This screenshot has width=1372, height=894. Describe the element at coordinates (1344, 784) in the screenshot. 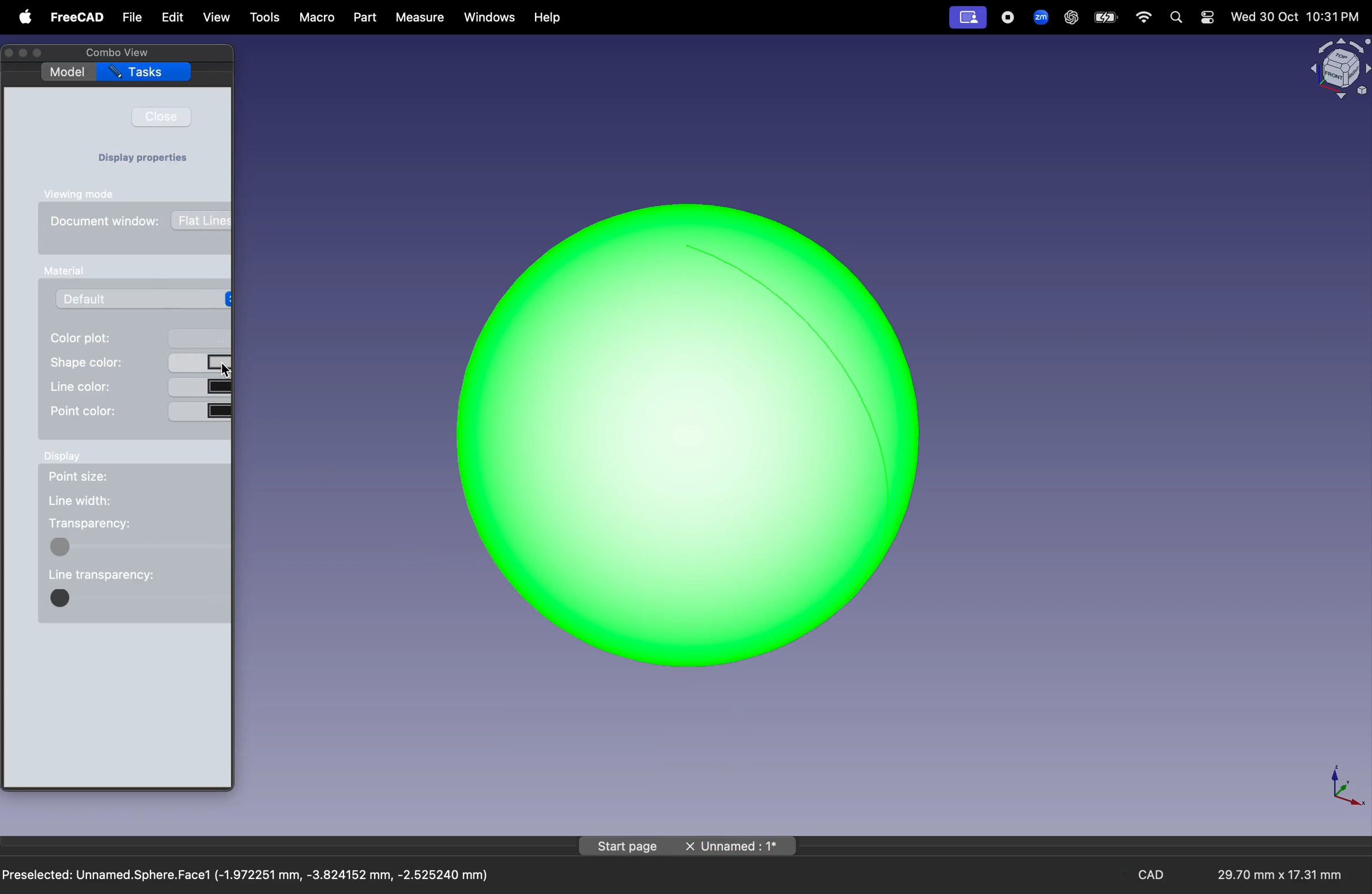

I see `axis` at that location.